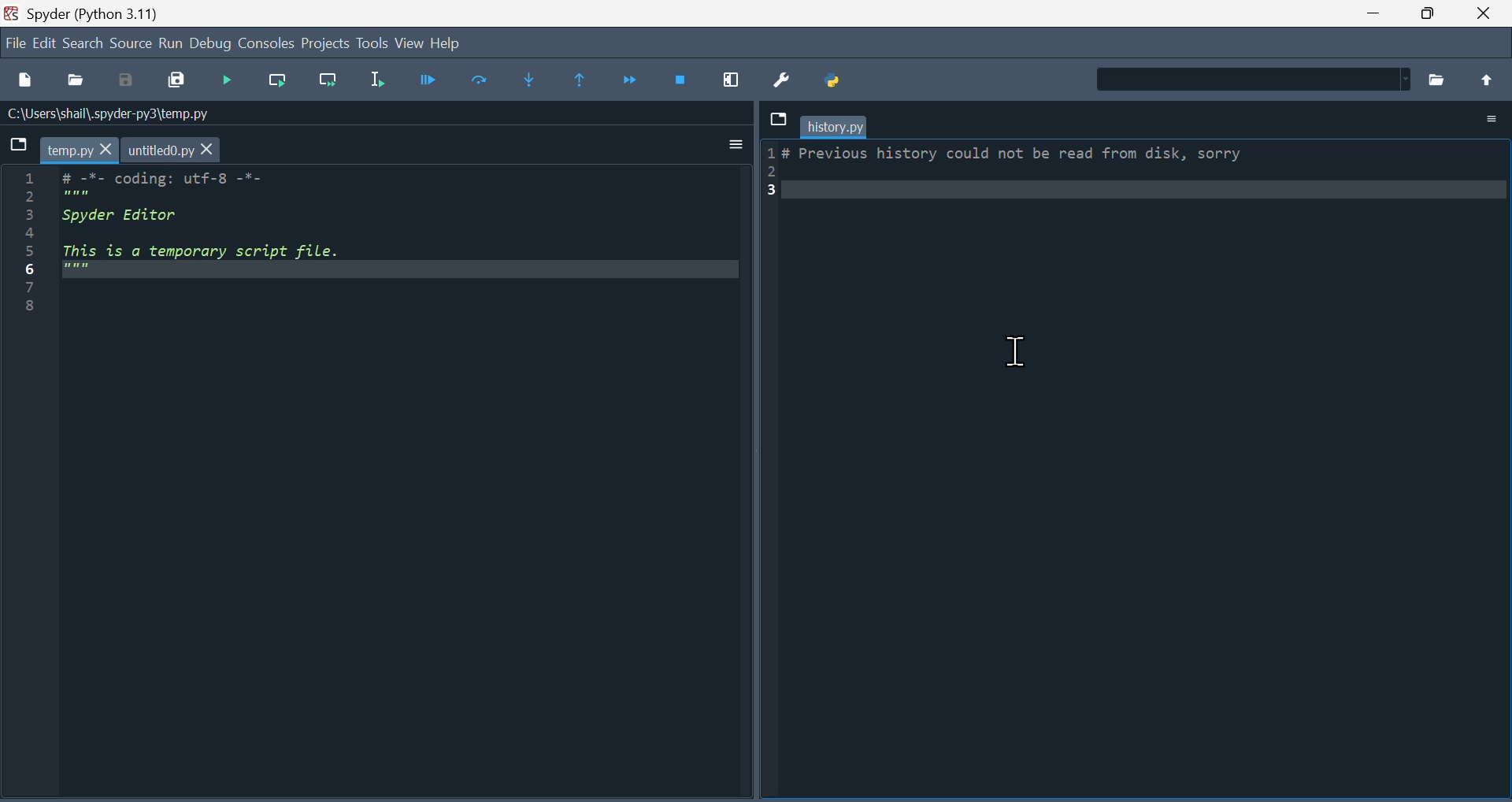 The image size is (1512, 802). I want to click on close, so click(1487, 13).